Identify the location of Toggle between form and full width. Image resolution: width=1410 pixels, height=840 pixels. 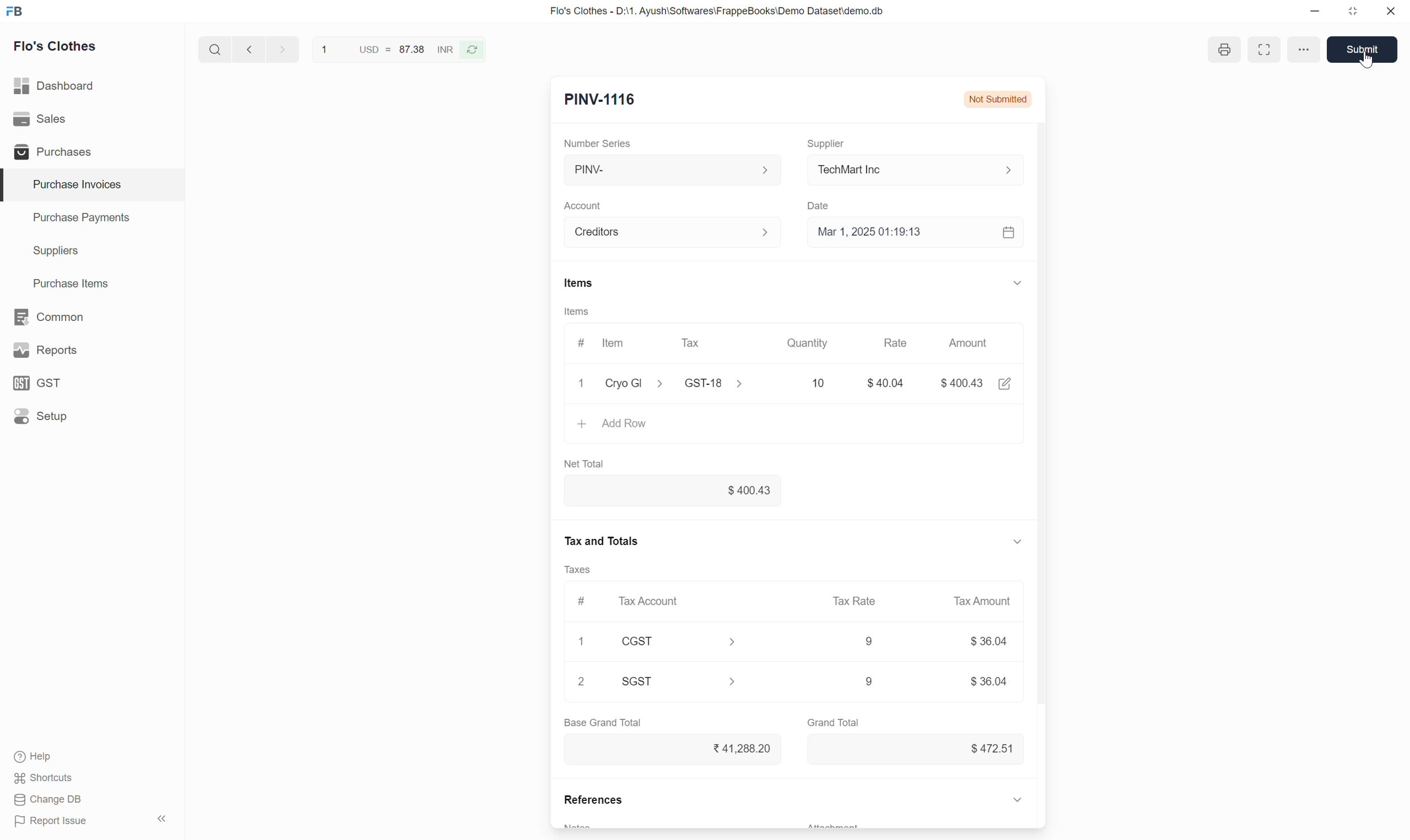
(1262, 49).